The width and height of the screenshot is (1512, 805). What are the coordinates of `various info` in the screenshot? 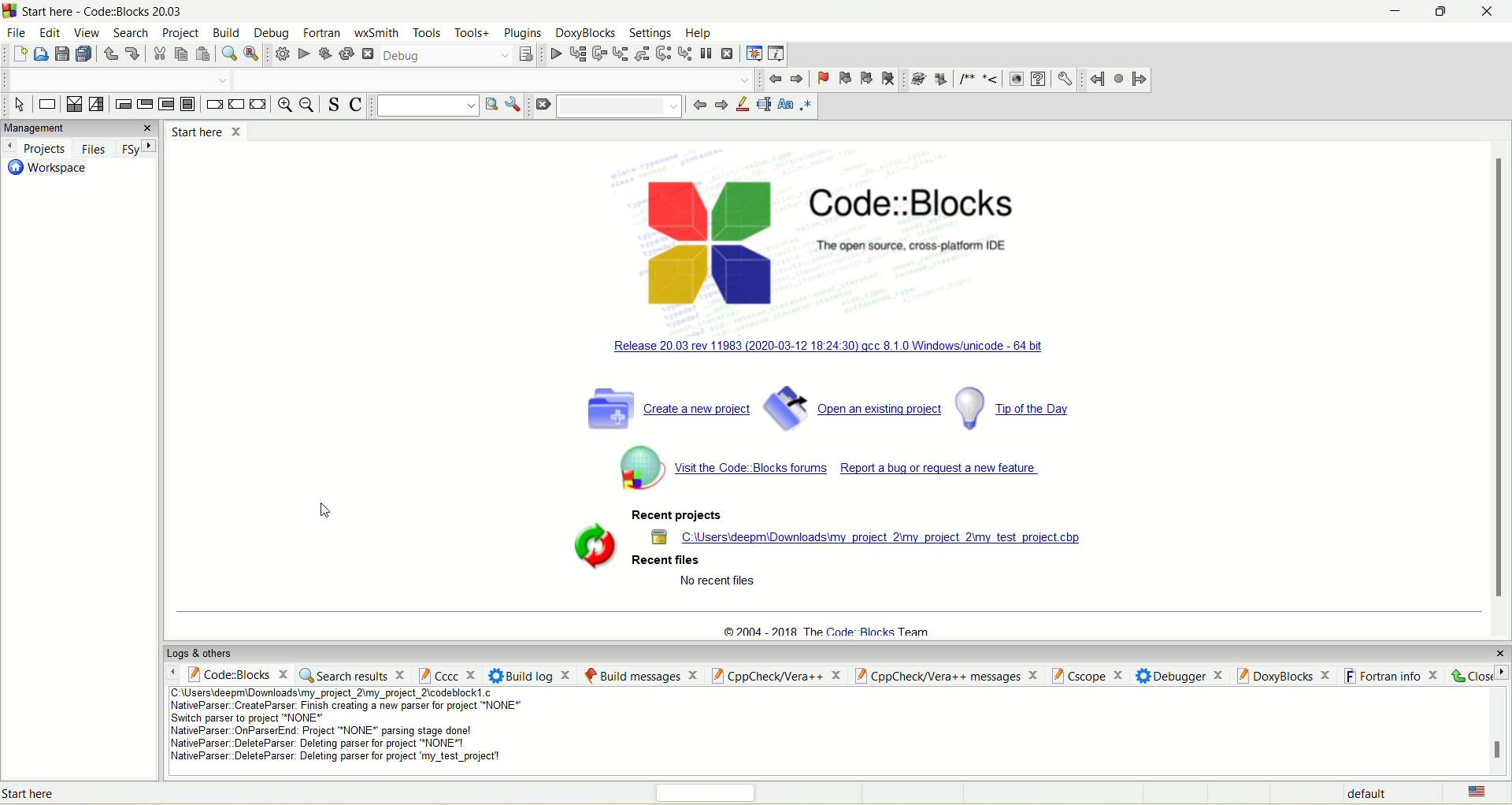 It's located at (776, 54).